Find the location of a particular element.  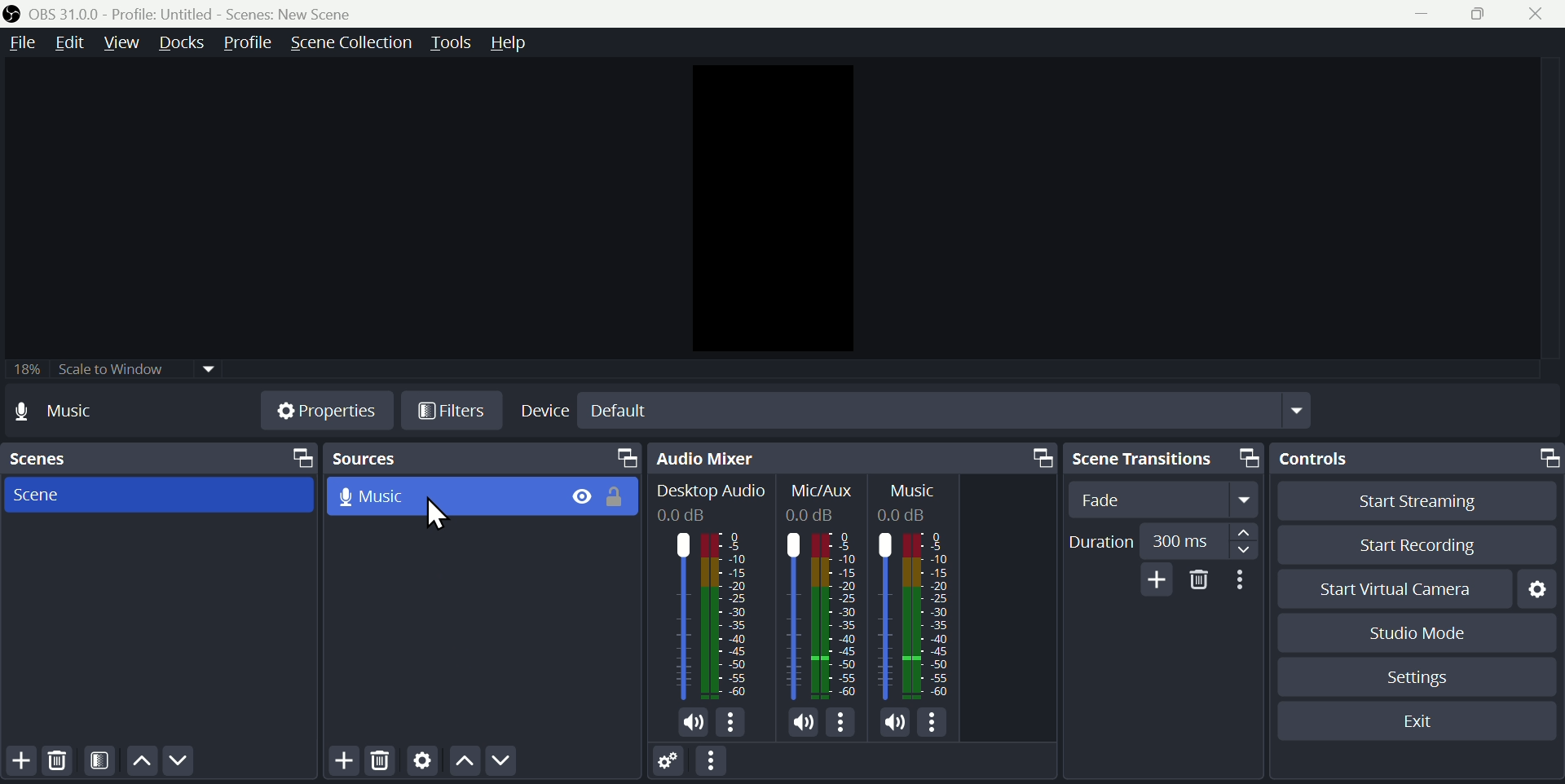

Studio mode is located at coordinates (1420, 632).